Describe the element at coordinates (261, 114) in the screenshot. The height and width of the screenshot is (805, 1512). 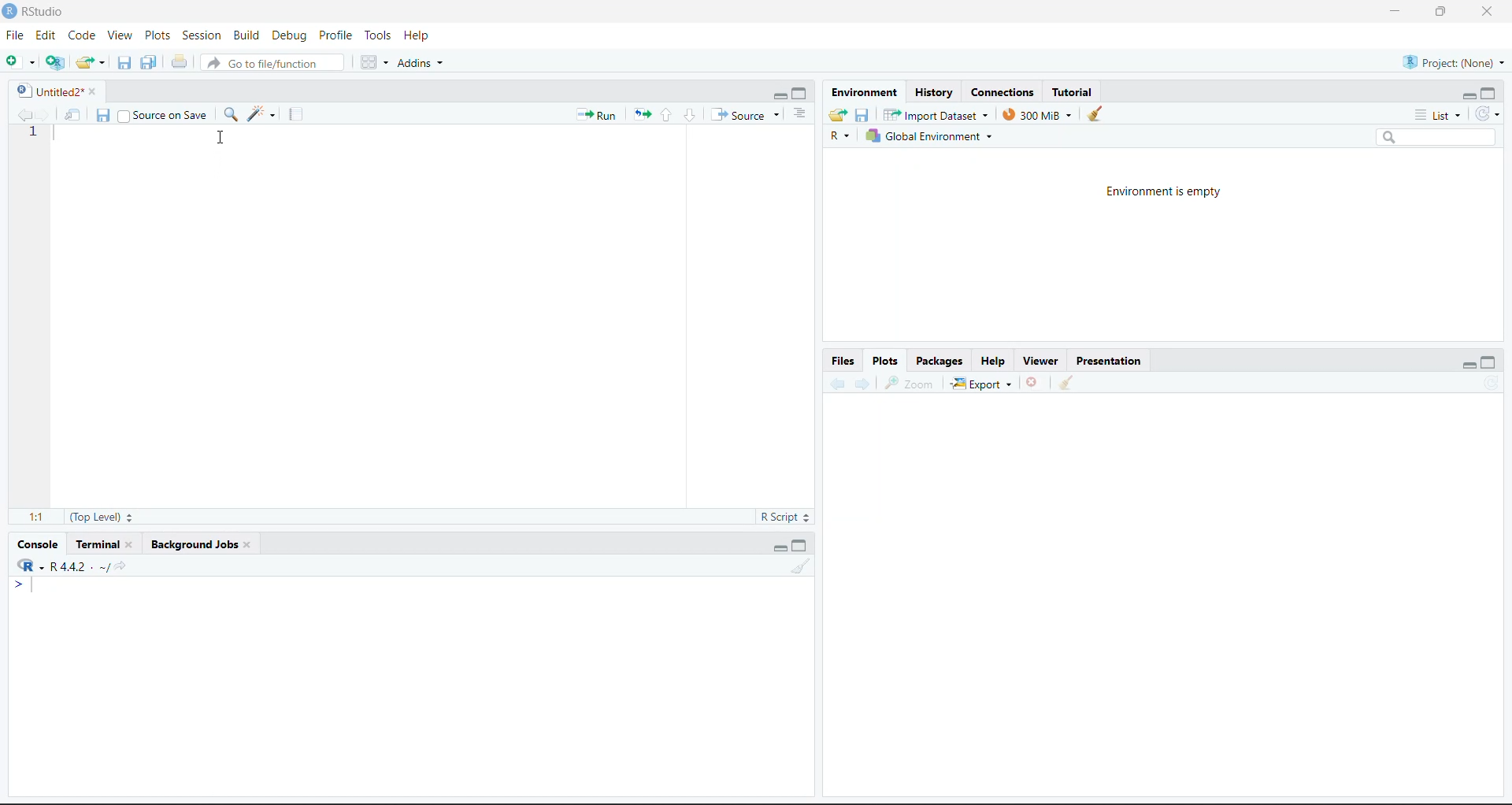
I see `code tools` at that location.